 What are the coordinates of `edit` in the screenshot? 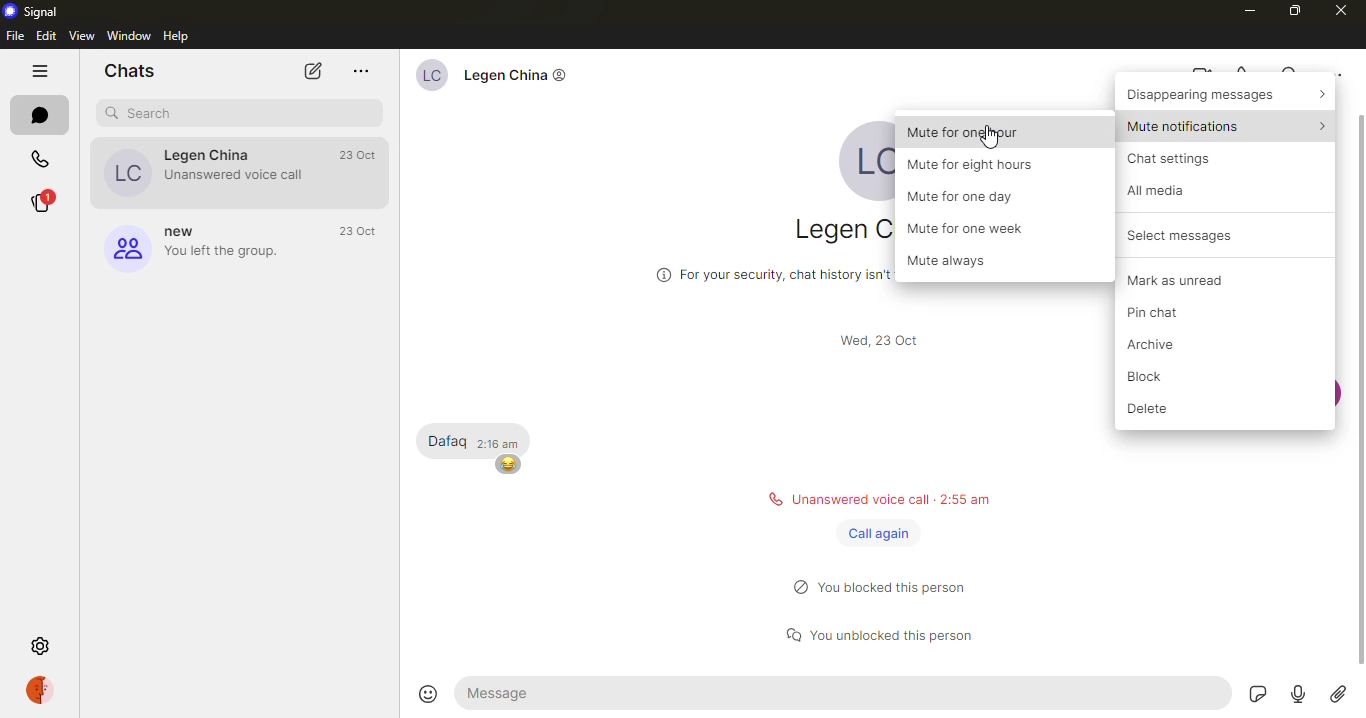 It's located at (46, 33).